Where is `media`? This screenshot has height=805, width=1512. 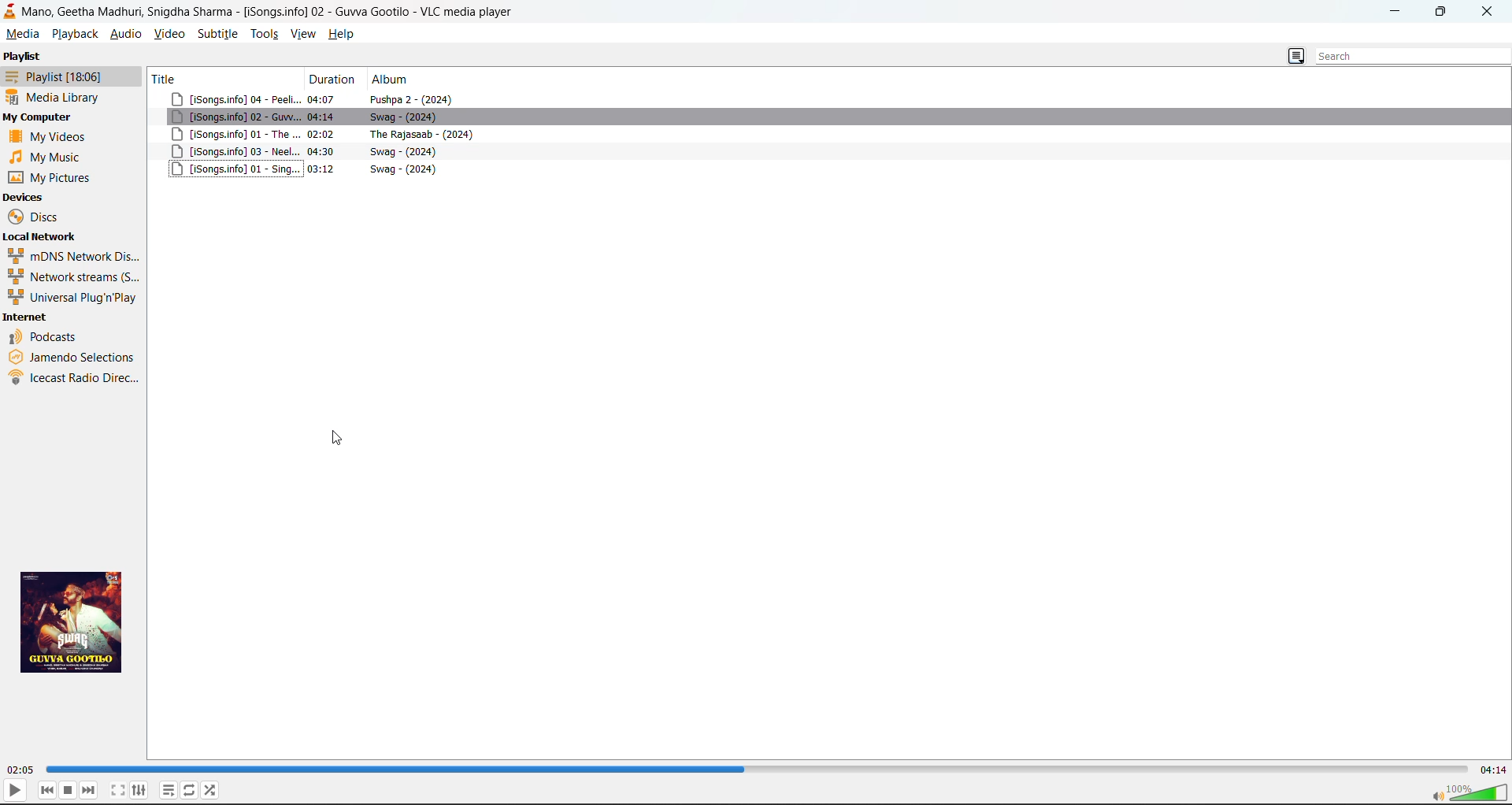
media is located at coordinates (22, 33).